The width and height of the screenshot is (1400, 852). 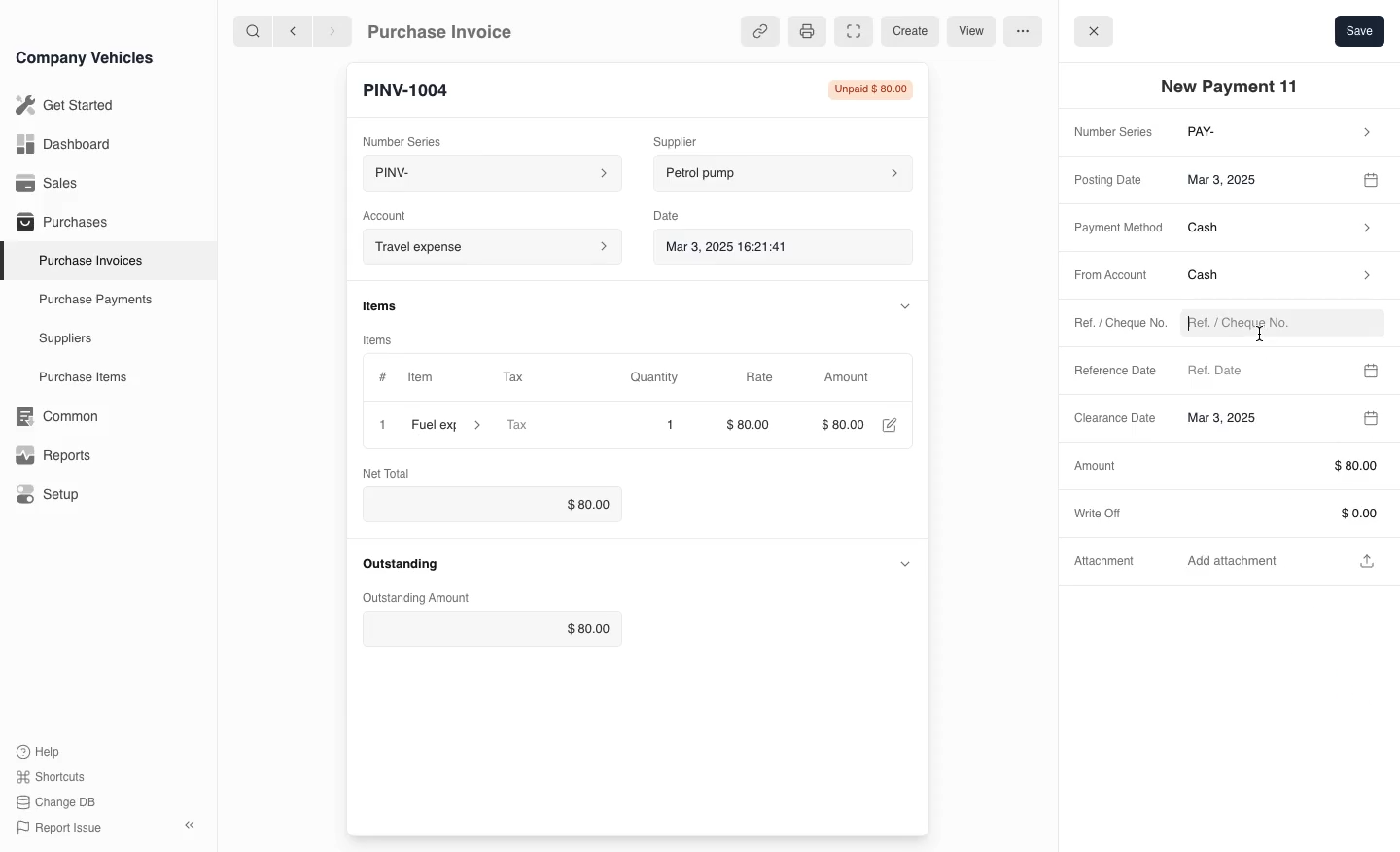 I want to click on ref date, so click(x=1264, y=369).